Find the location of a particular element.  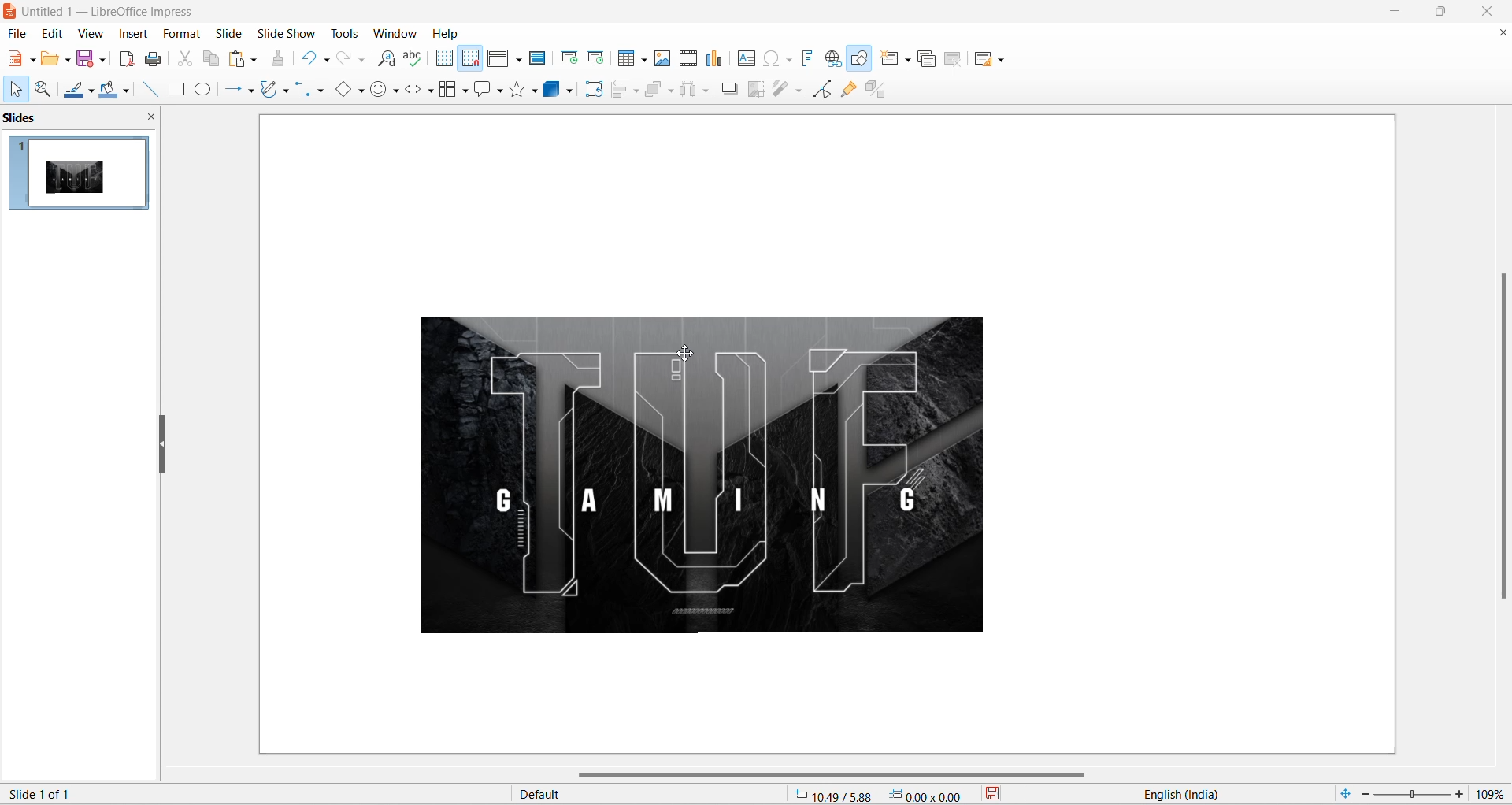

rotate is located at coordinates (597, 90).